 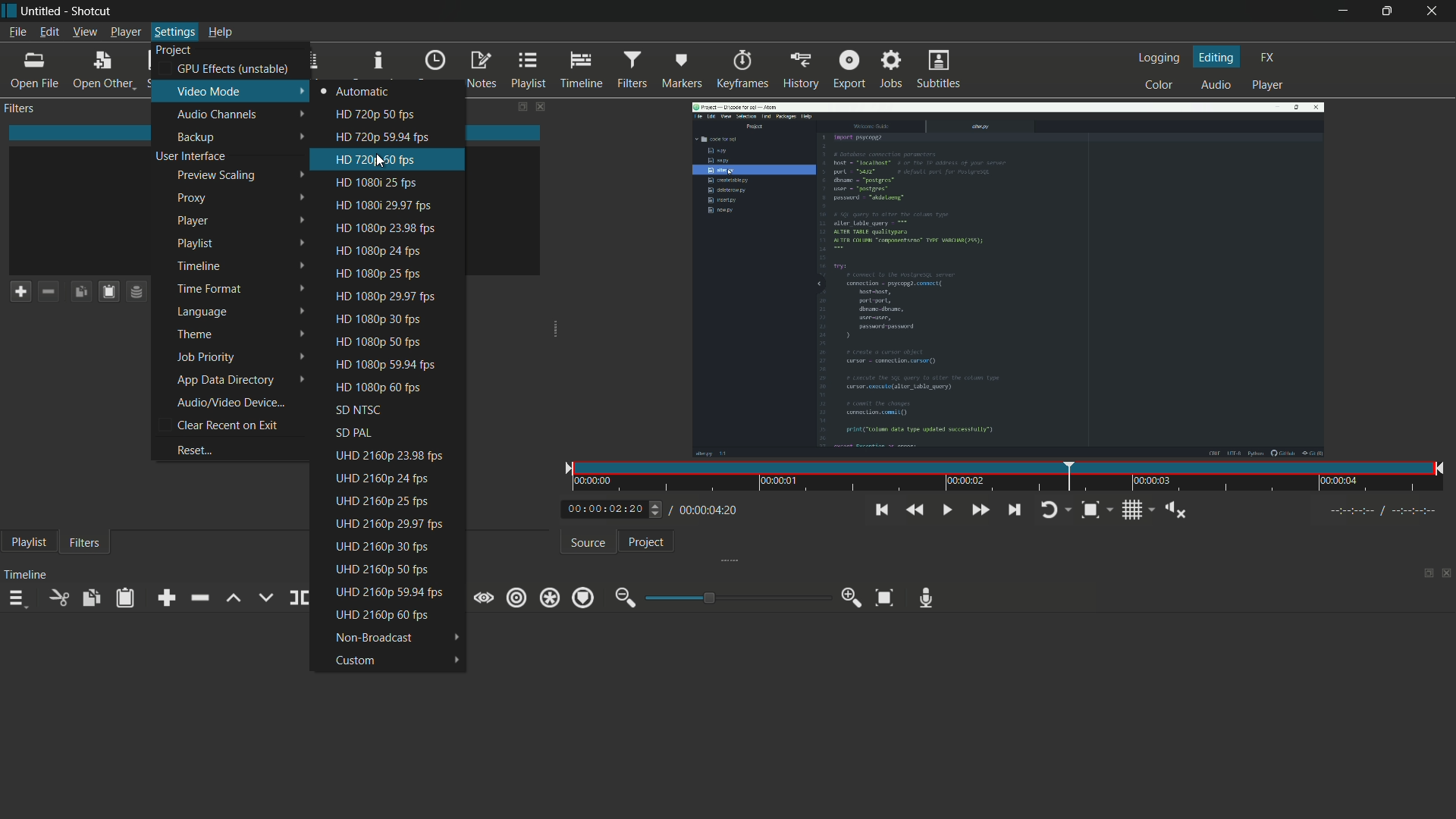 What do you see at coordinates (980, 510) in the screenshot?
I see `quickly play forward` at bounding box center [980, 510].